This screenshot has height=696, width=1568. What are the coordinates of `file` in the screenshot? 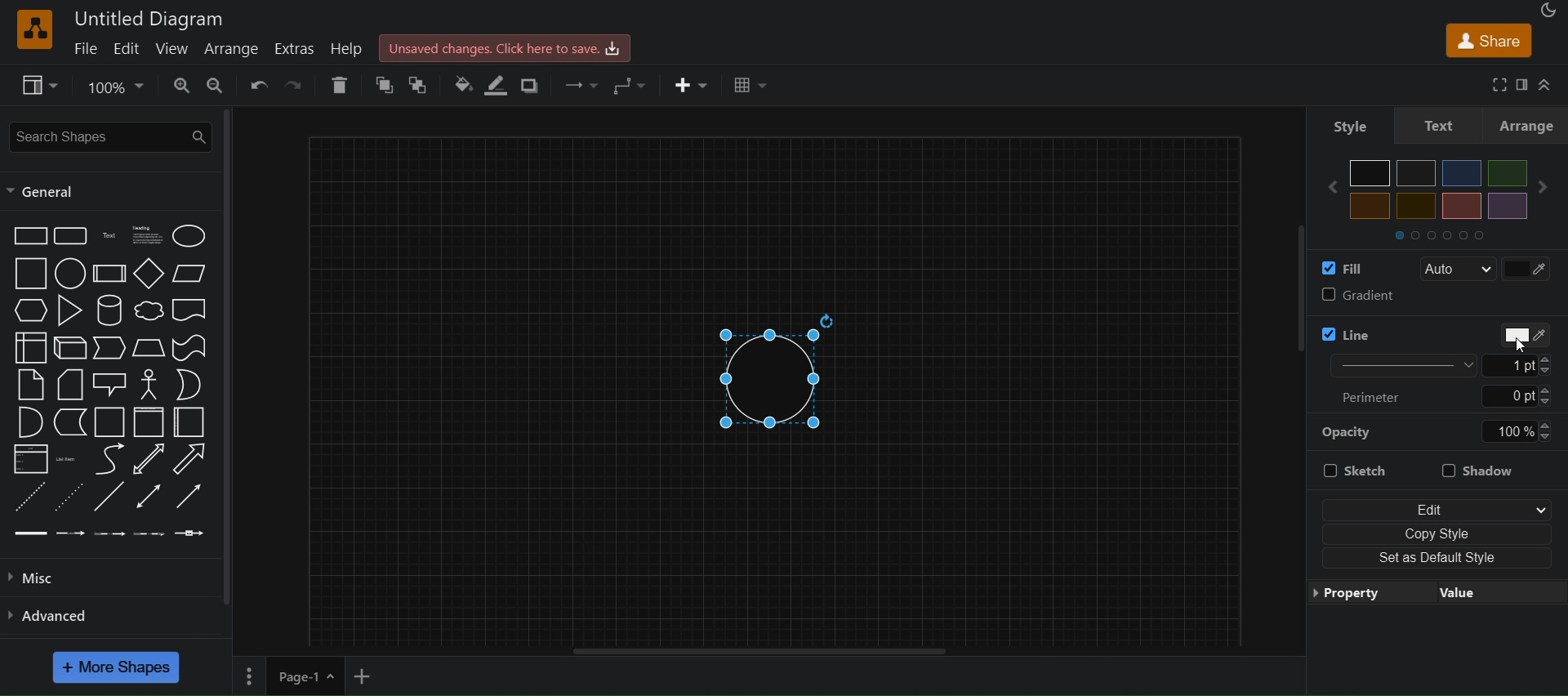 It's located at (88, 47).